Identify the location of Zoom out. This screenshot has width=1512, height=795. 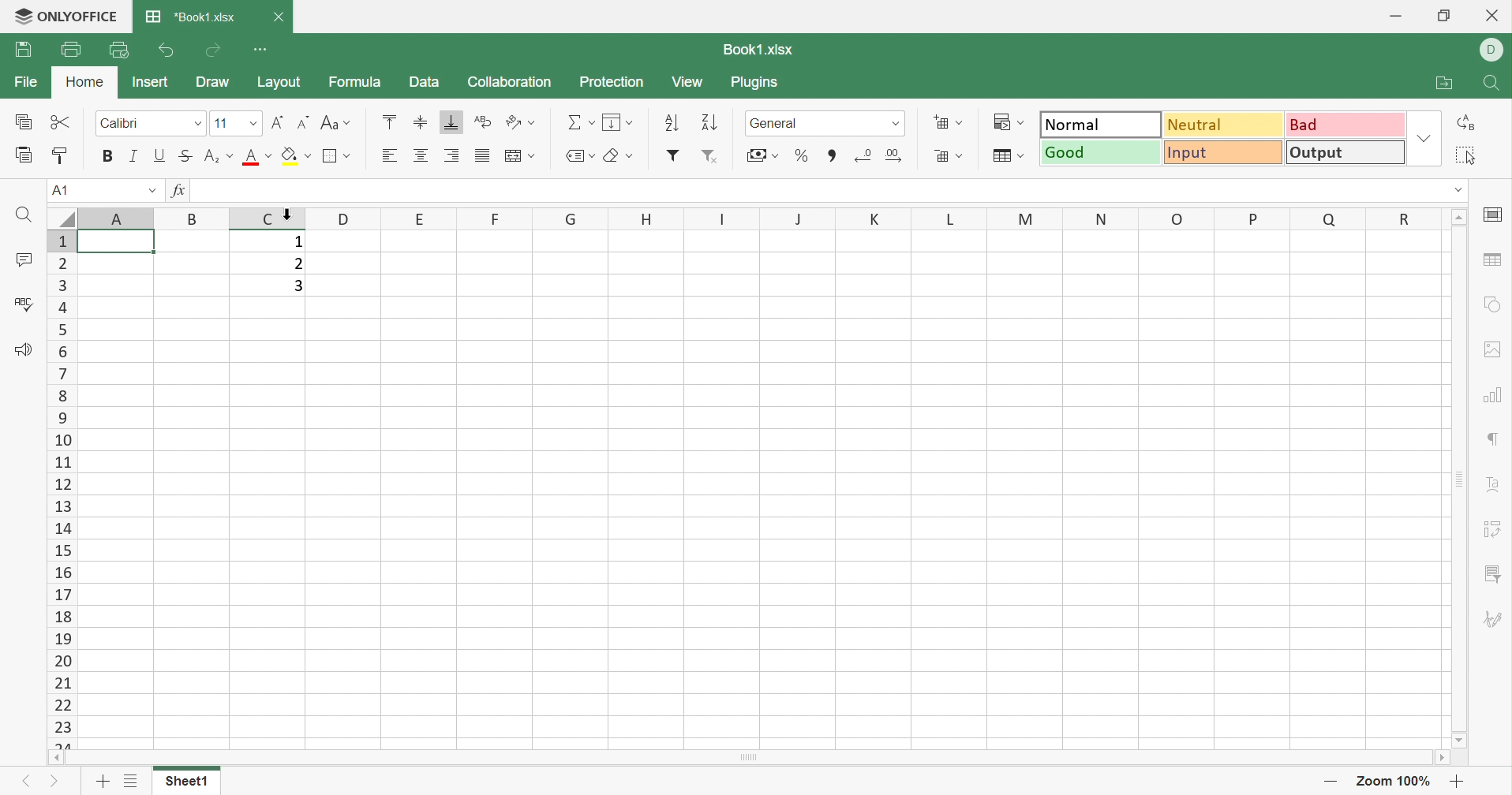
(1333, 780).